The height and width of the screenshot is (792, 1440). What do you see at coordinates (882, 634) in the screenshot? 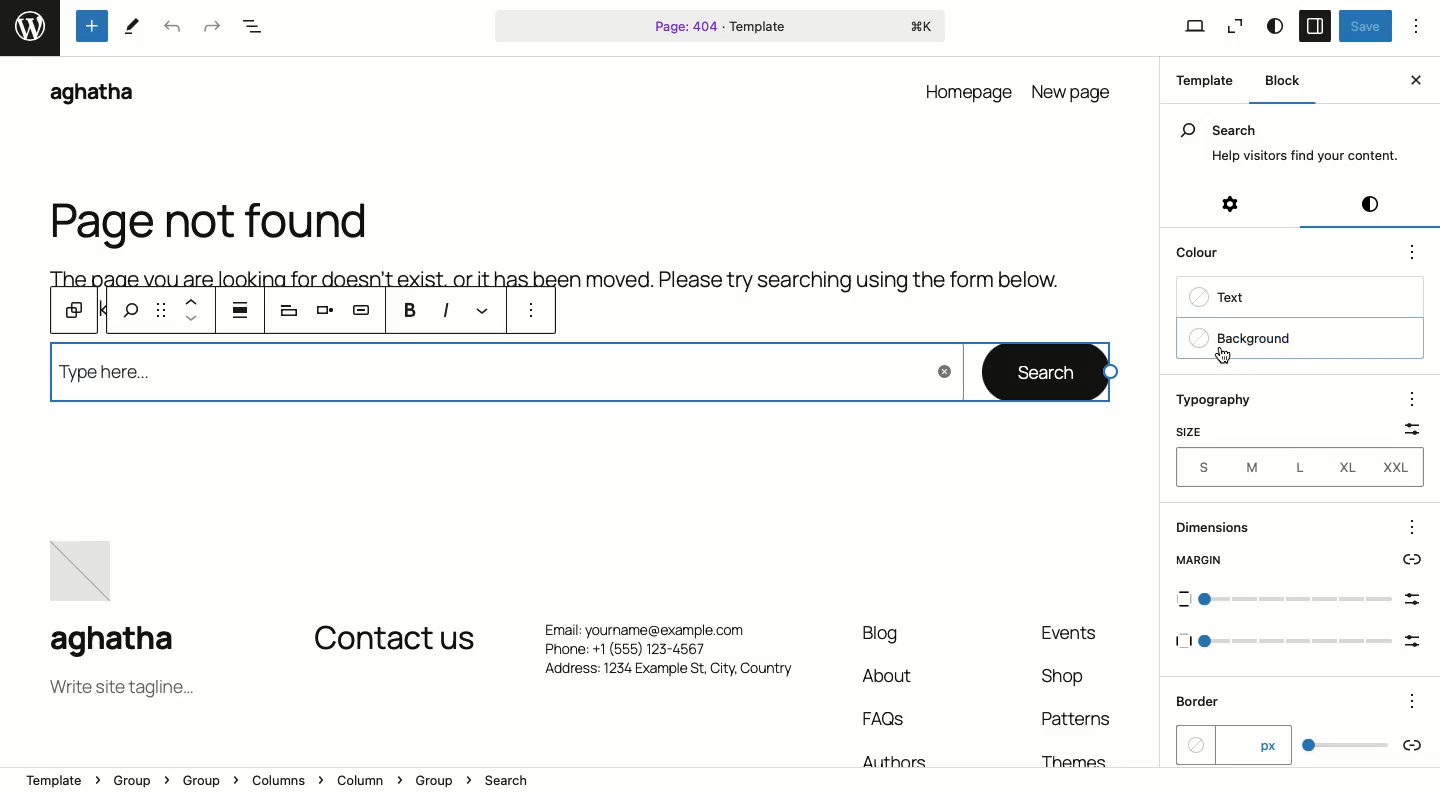
I see `Blog` at bounding box center [882, 634].